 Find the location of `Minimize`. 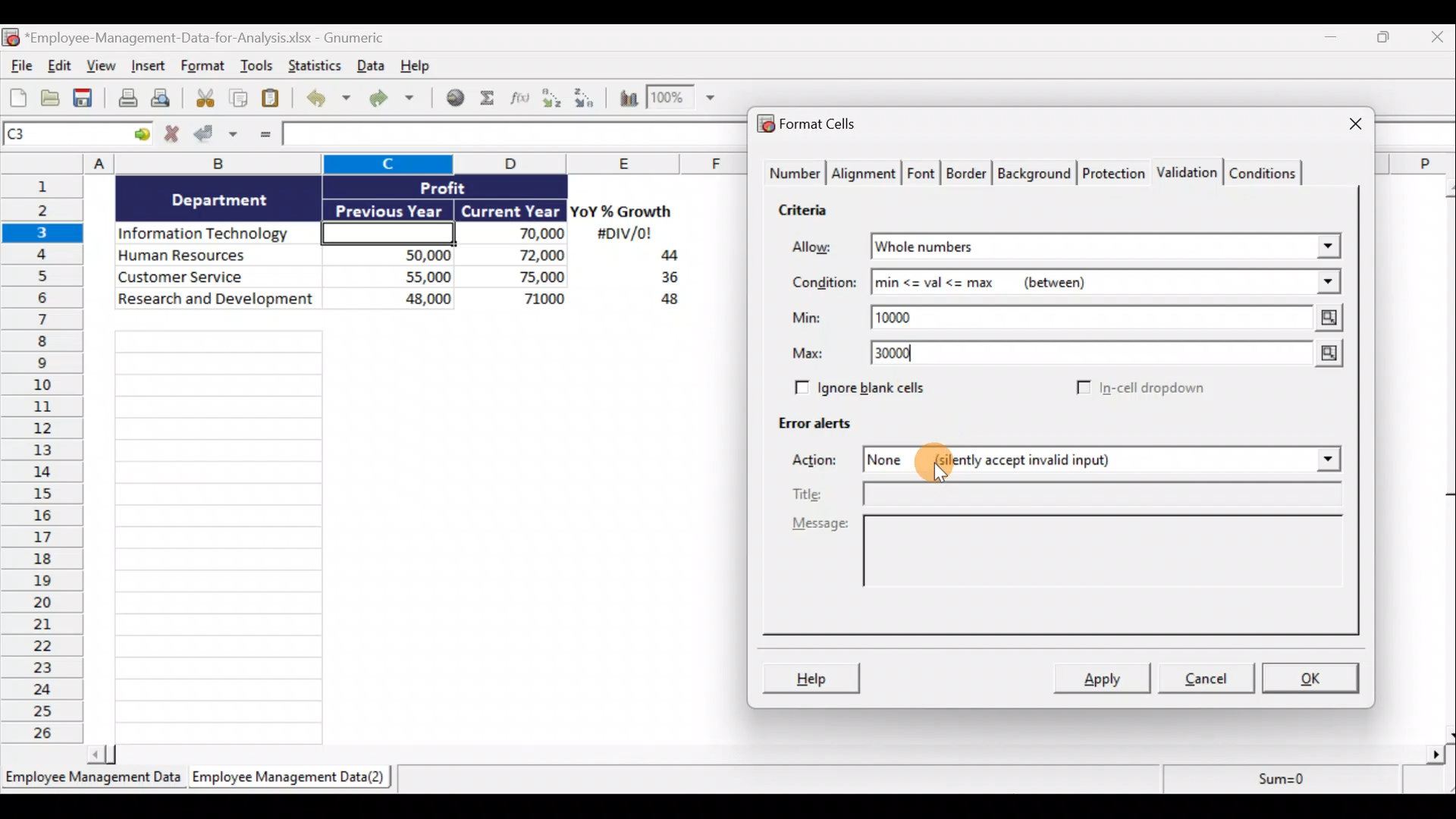

Minimize is located at coordinates (1336, 40).